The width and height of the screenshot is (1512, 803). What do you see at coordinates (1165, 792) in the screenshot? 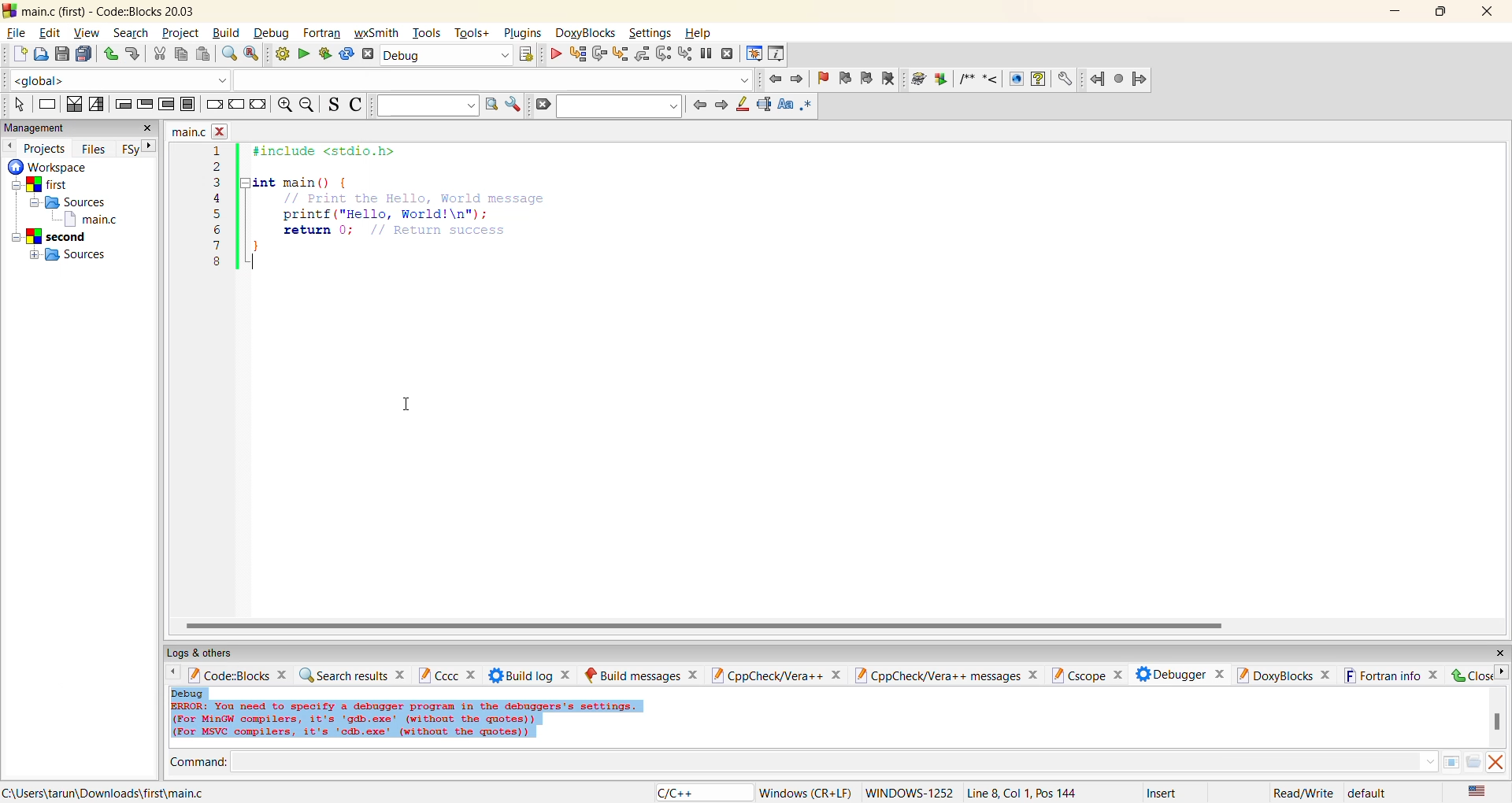
I see `Insert` at bounding box center [1165, 792].